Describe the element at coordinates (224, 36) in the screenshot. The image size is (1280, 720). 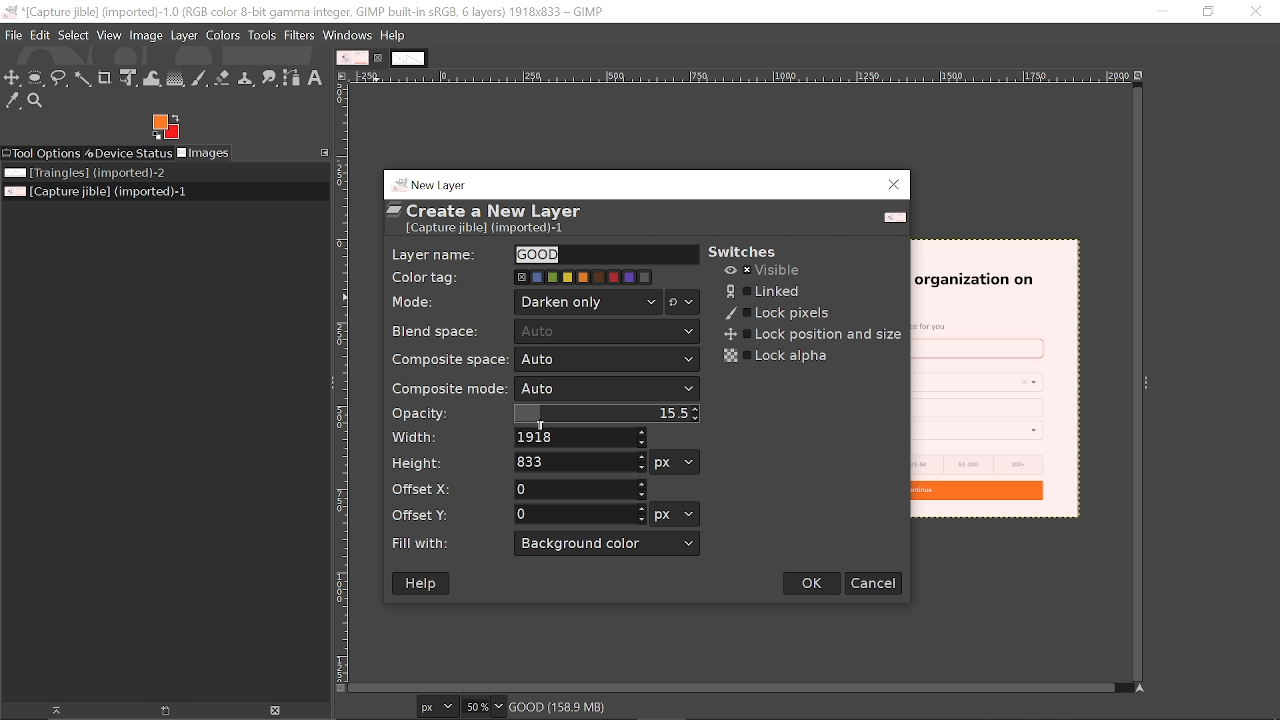
I see `Colors` at that location.